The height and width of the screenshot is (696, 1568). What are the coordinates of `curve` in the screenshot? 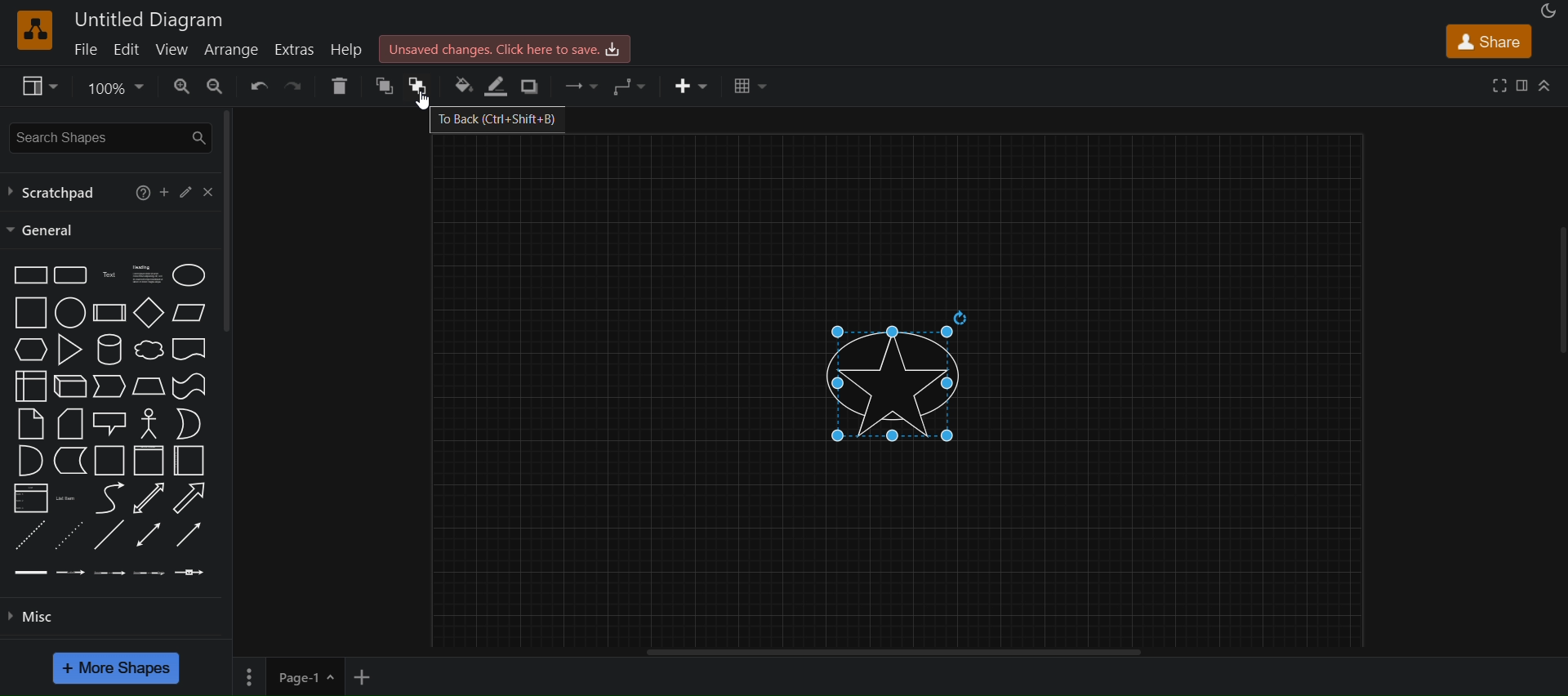 It's located at (109, 498).